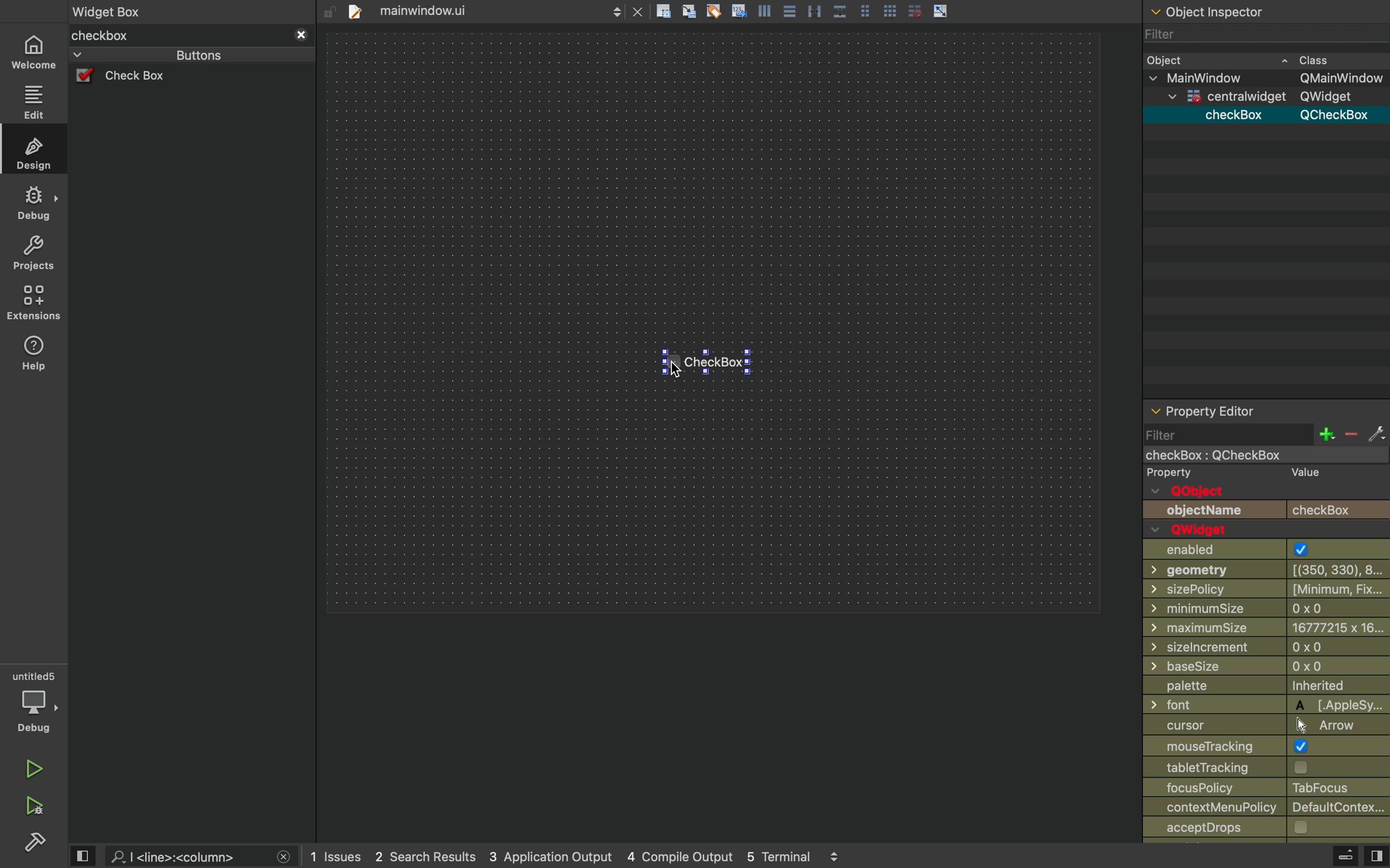 The image size is (1390, 868). Describe the element at coordinates (1306, 473) in the screenshot. I see `Value` at that location.